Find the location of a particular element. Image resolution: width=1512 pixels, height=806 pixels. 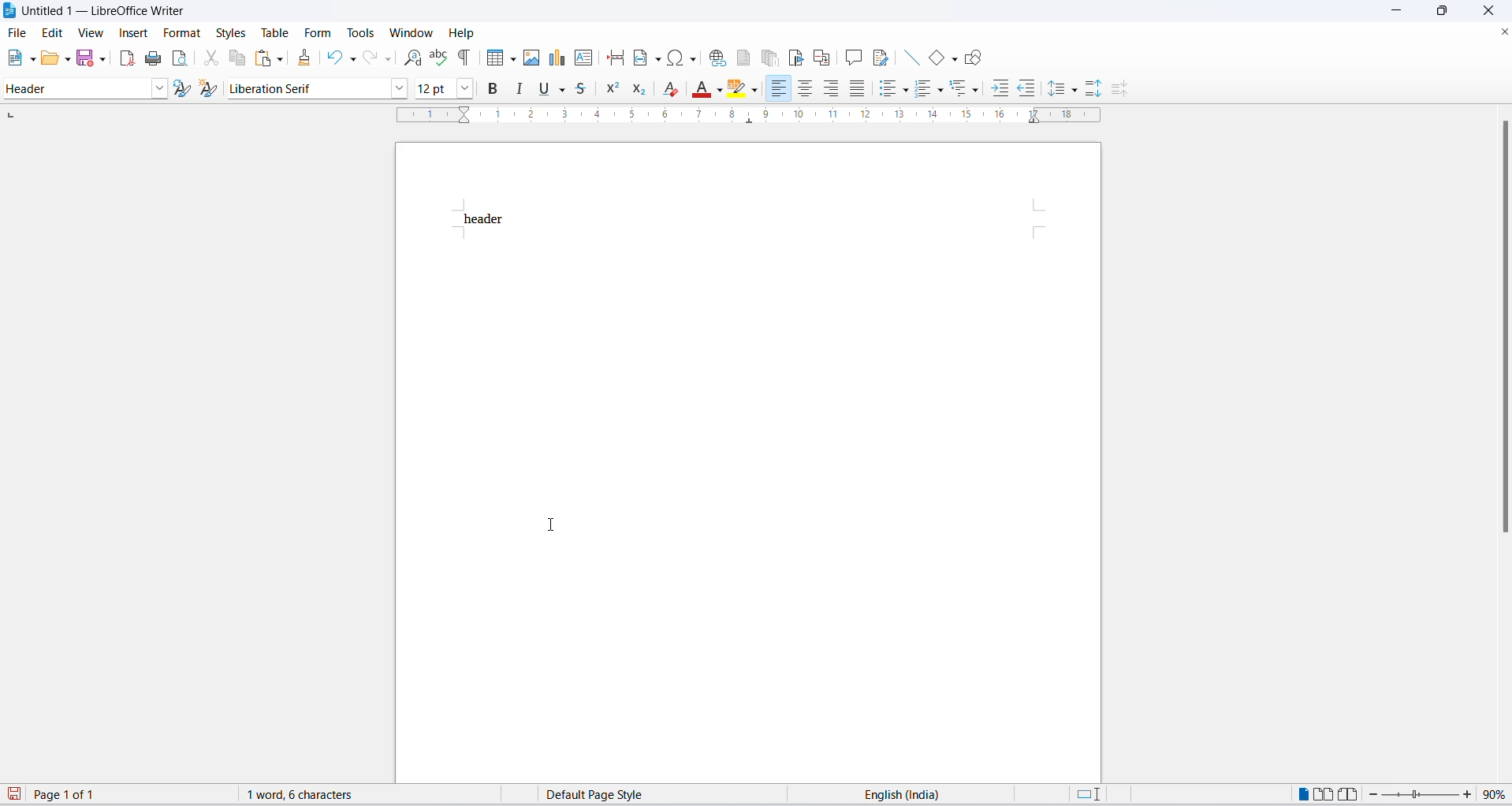

 is located at coordinates (1492, 9).